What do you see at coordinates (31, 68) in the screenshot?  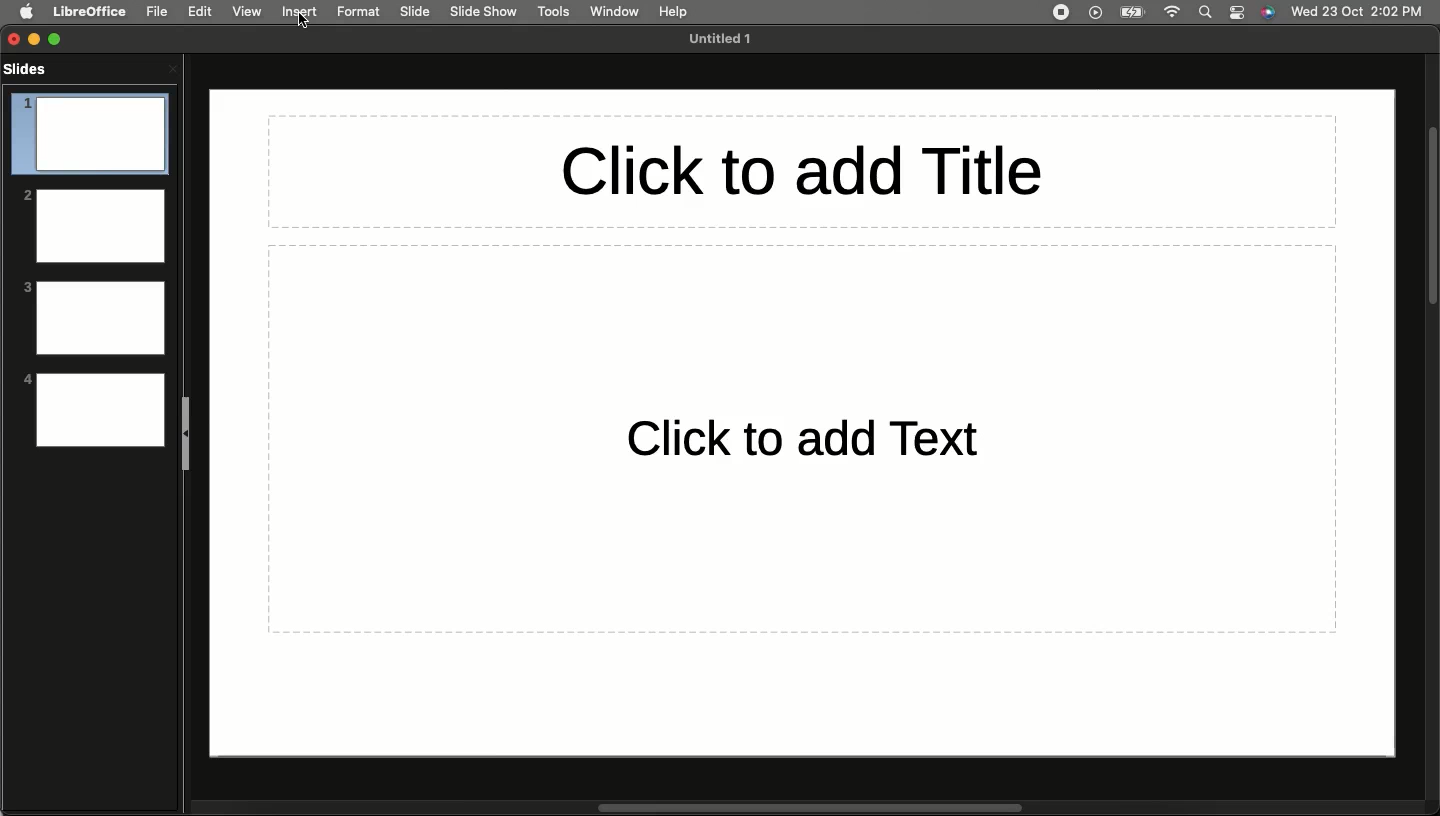 I see `Slides` at bounding box center [31, 68].